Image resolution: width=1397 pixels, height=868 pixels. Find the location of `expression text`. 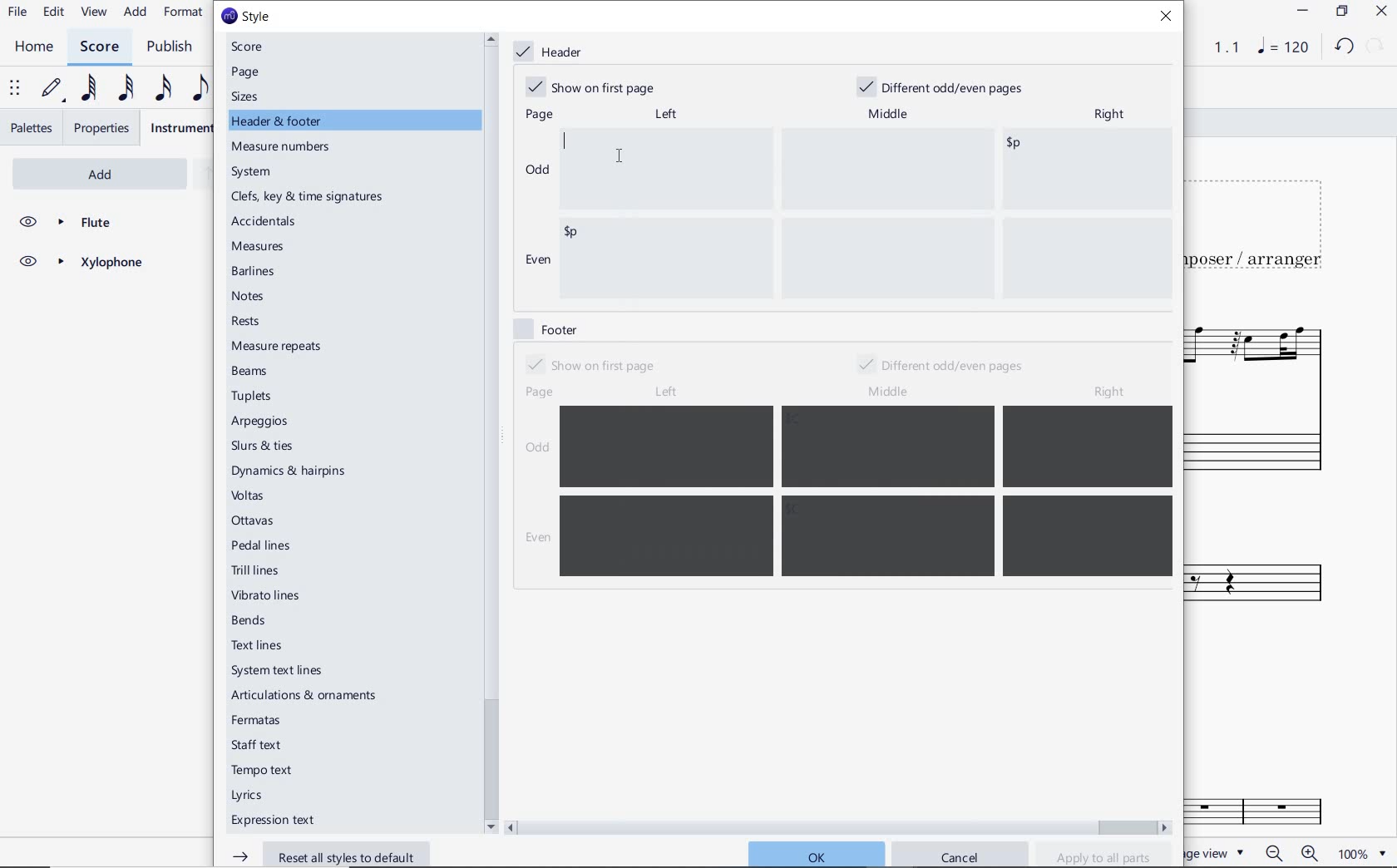

expression text is located at coordinates (275, 821).